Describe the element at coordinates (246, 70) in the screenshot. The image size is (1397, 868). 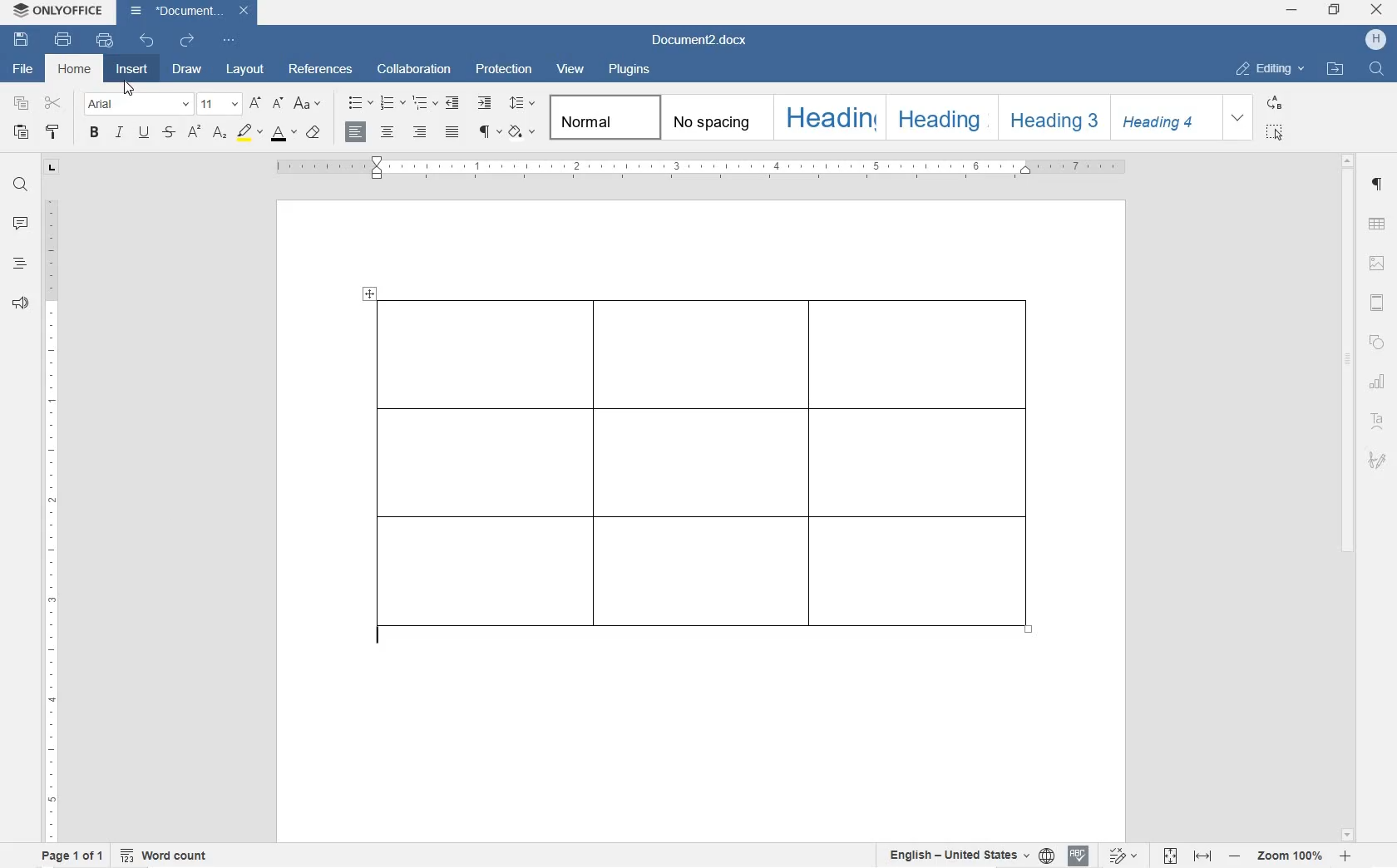
I see `layout` at that location.